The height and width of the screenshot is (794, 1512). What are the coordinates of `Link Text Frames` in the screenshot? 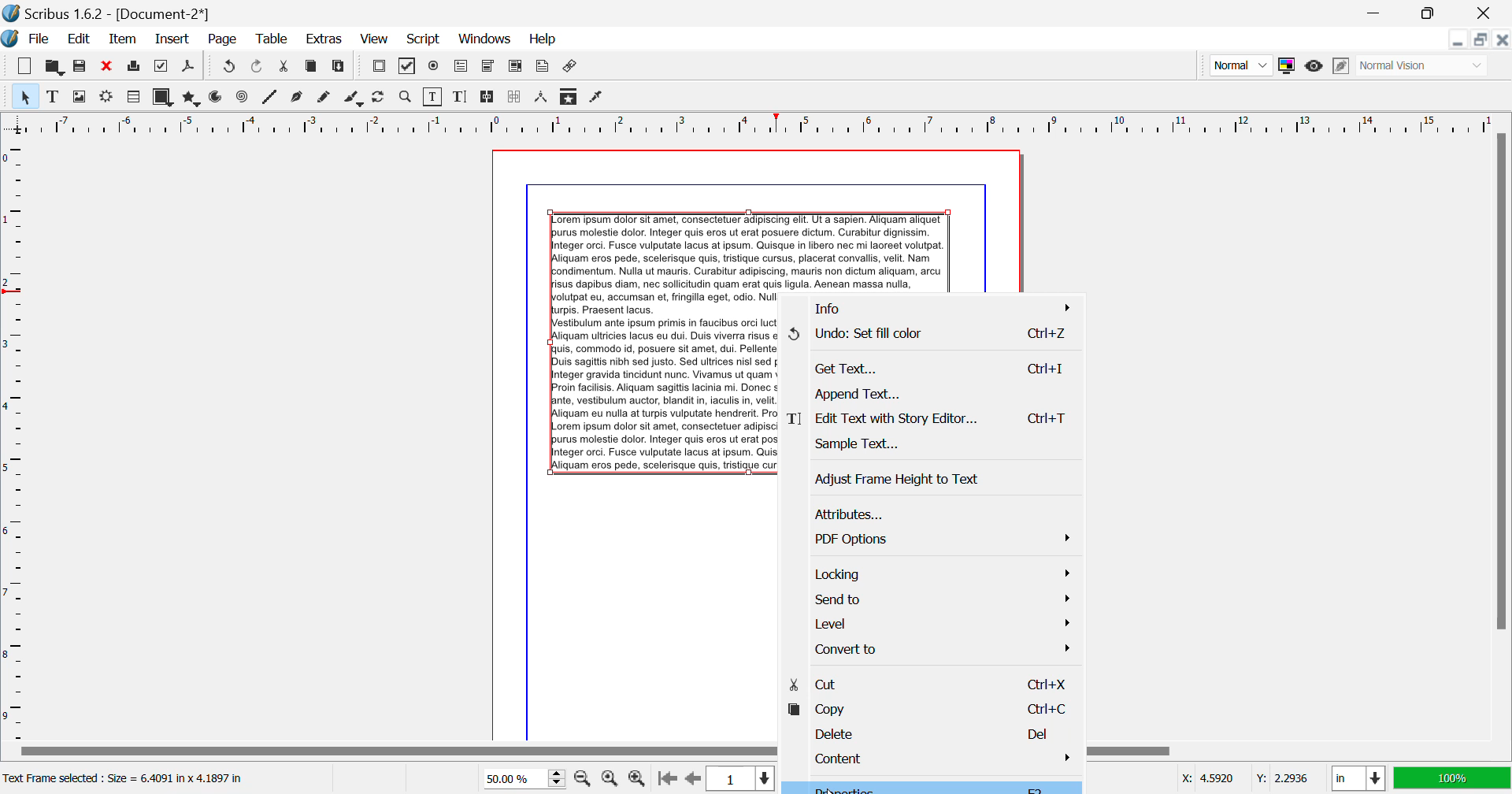 It's located at (488, 98).